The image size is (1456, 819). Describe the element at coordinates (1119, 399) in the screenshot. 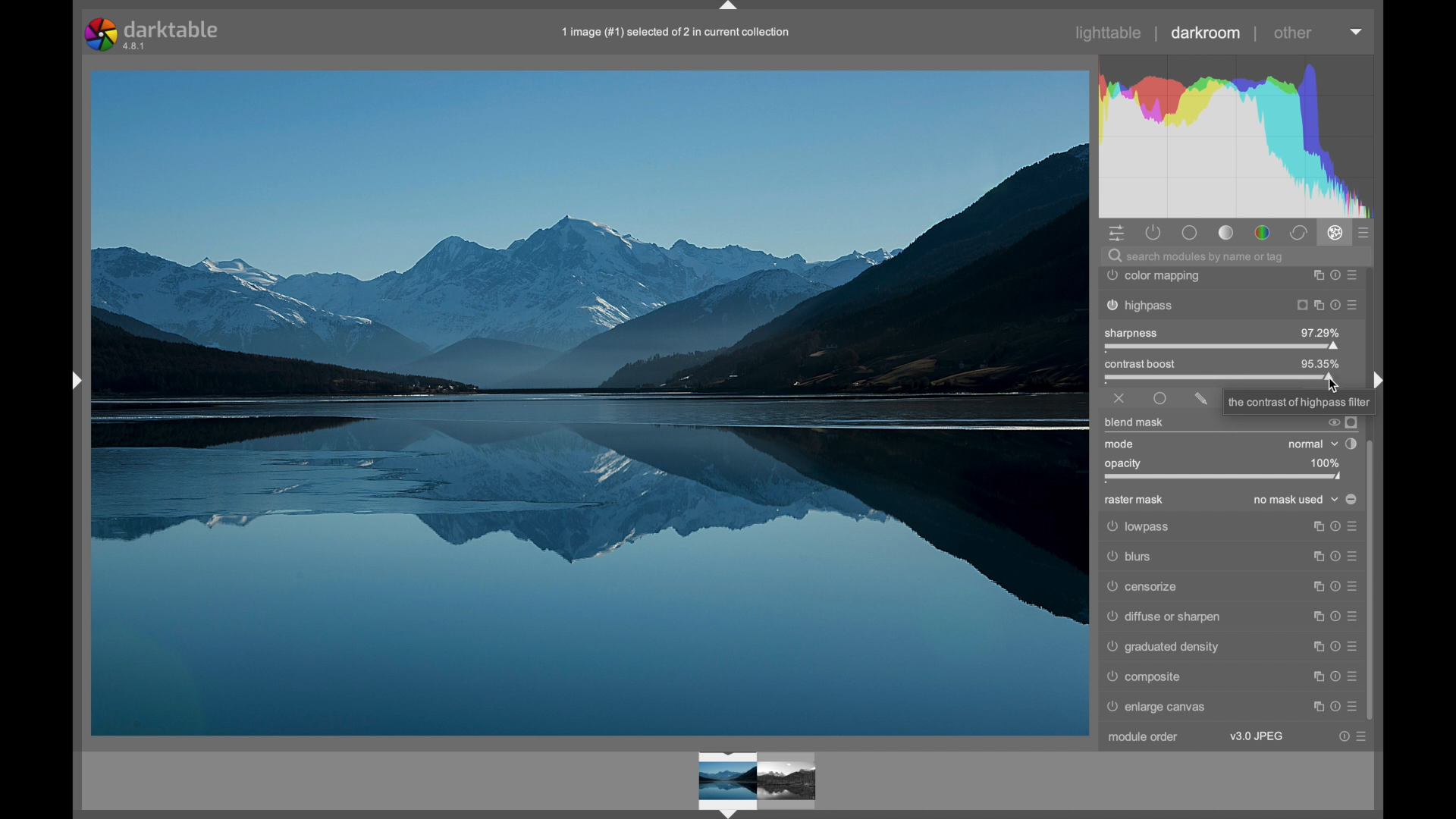

I see `off` at that location.